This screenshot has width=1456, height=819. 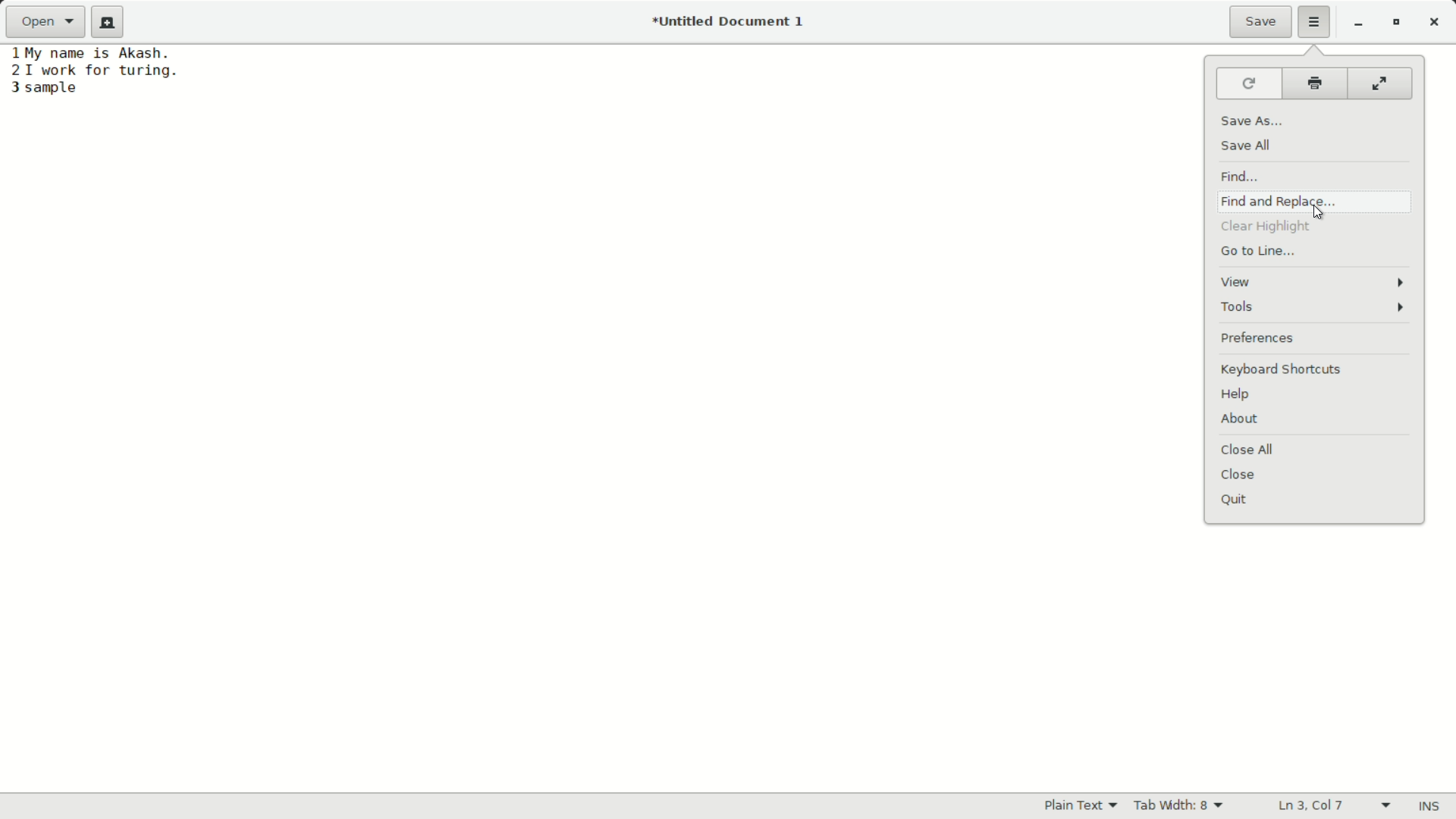 I want to click on find and replace, so click(x=1278, y=201).